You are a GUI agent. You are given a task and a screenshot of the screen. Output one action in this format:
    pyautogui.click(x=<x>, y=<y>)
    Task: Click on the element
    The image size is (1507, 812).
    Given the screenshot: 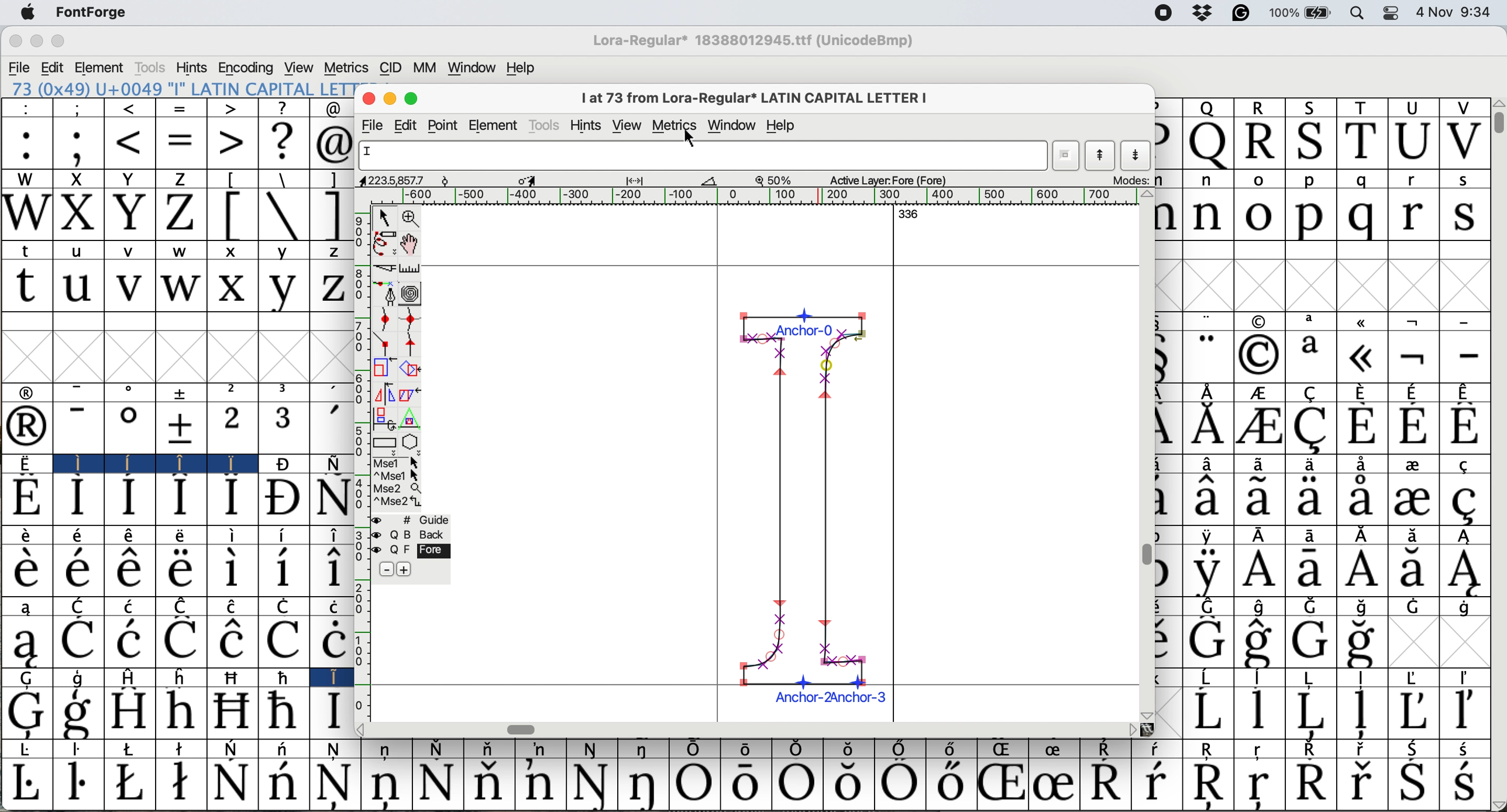 What is the action you would take?
    pyautogui.click(x=494, y=124)
    